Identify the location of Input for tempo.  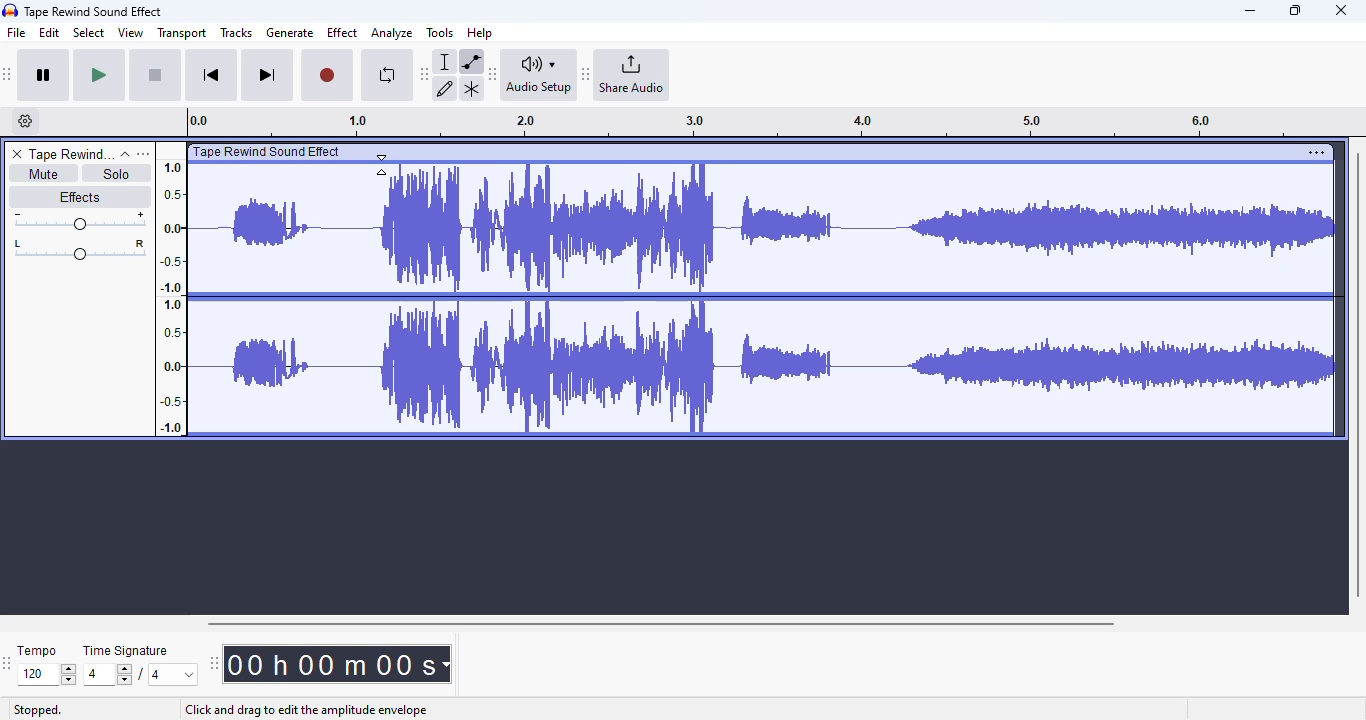
(46, 675).